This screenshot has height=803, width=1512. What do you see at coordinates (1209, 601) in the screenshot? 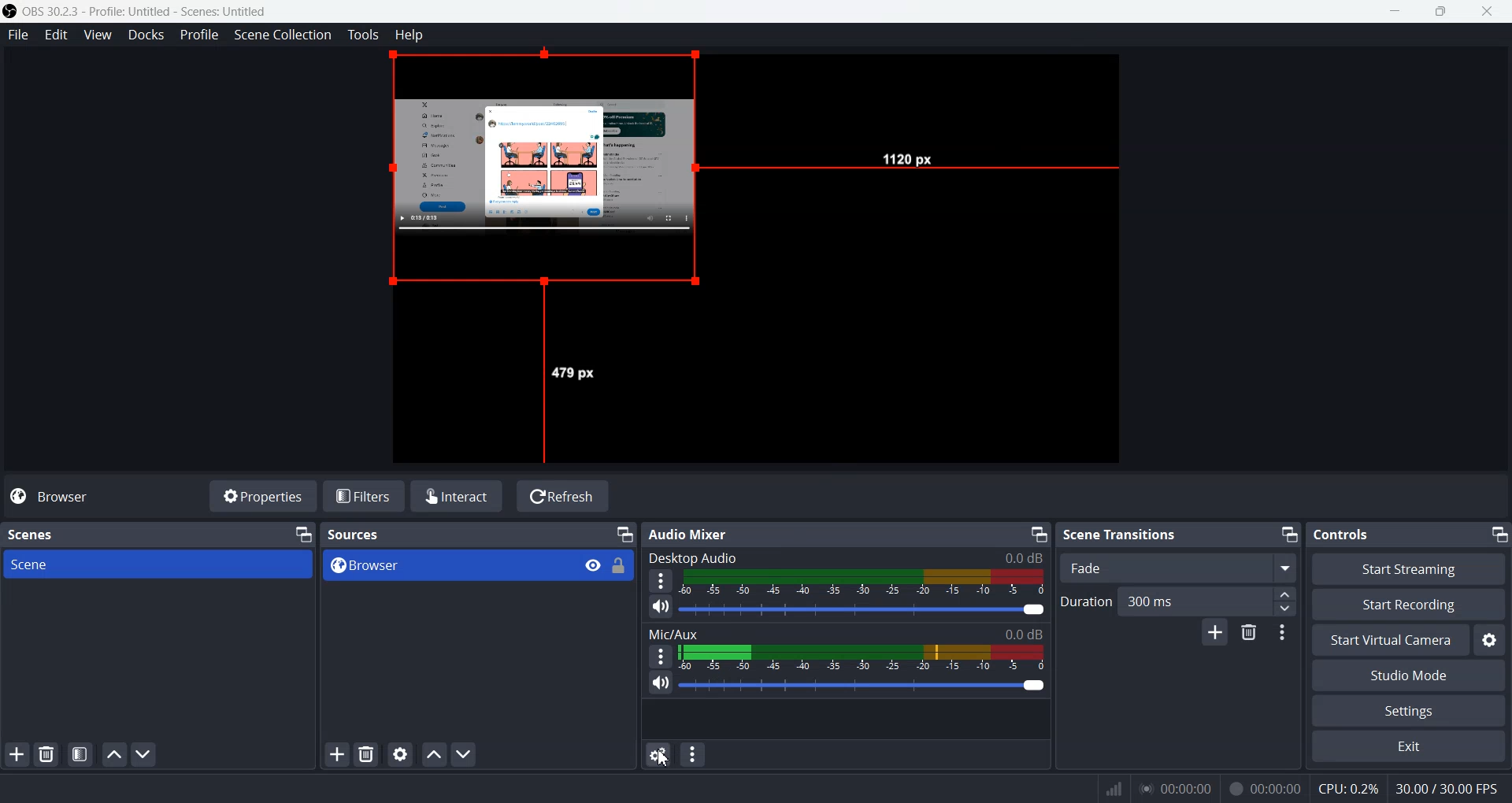
I see `300 ms` at bounding box center [1209, 601].